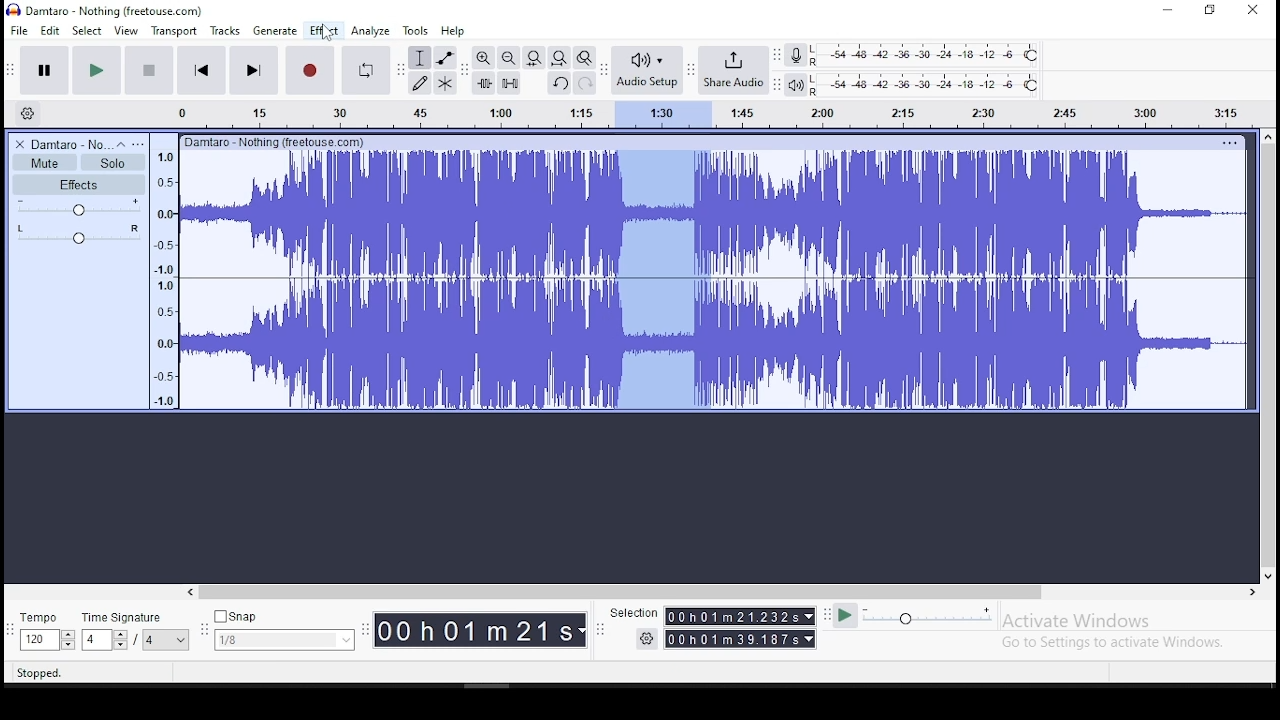 The width and height of the screenshot is (1280, 720). Describe the element at coordinates (475, 630) in the screenshot. I see `0O0hO01m21s` at that location.